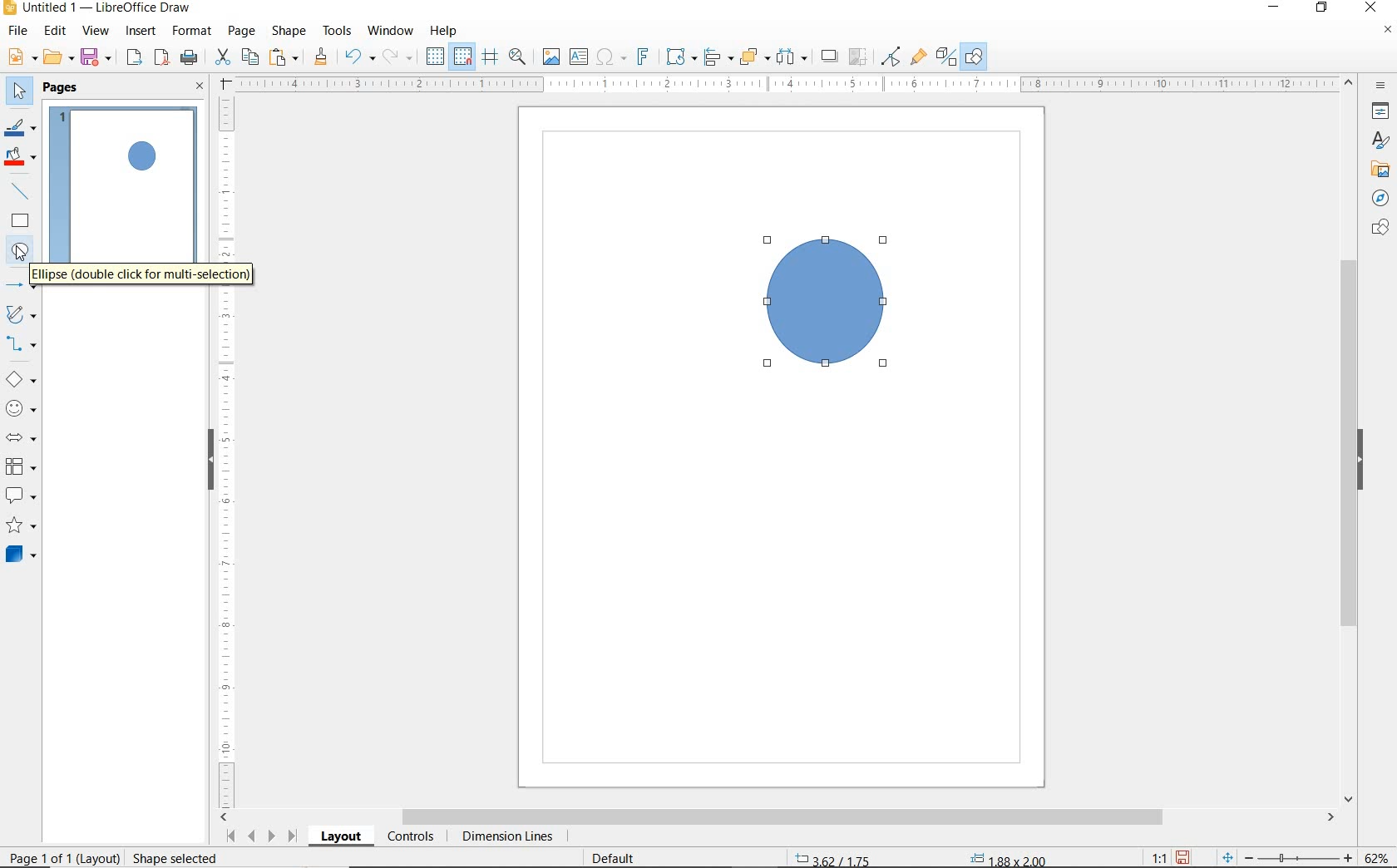 This screenshot has width=1397, height=868. I want to click on ZOOM & PAN, so click(517, 56).